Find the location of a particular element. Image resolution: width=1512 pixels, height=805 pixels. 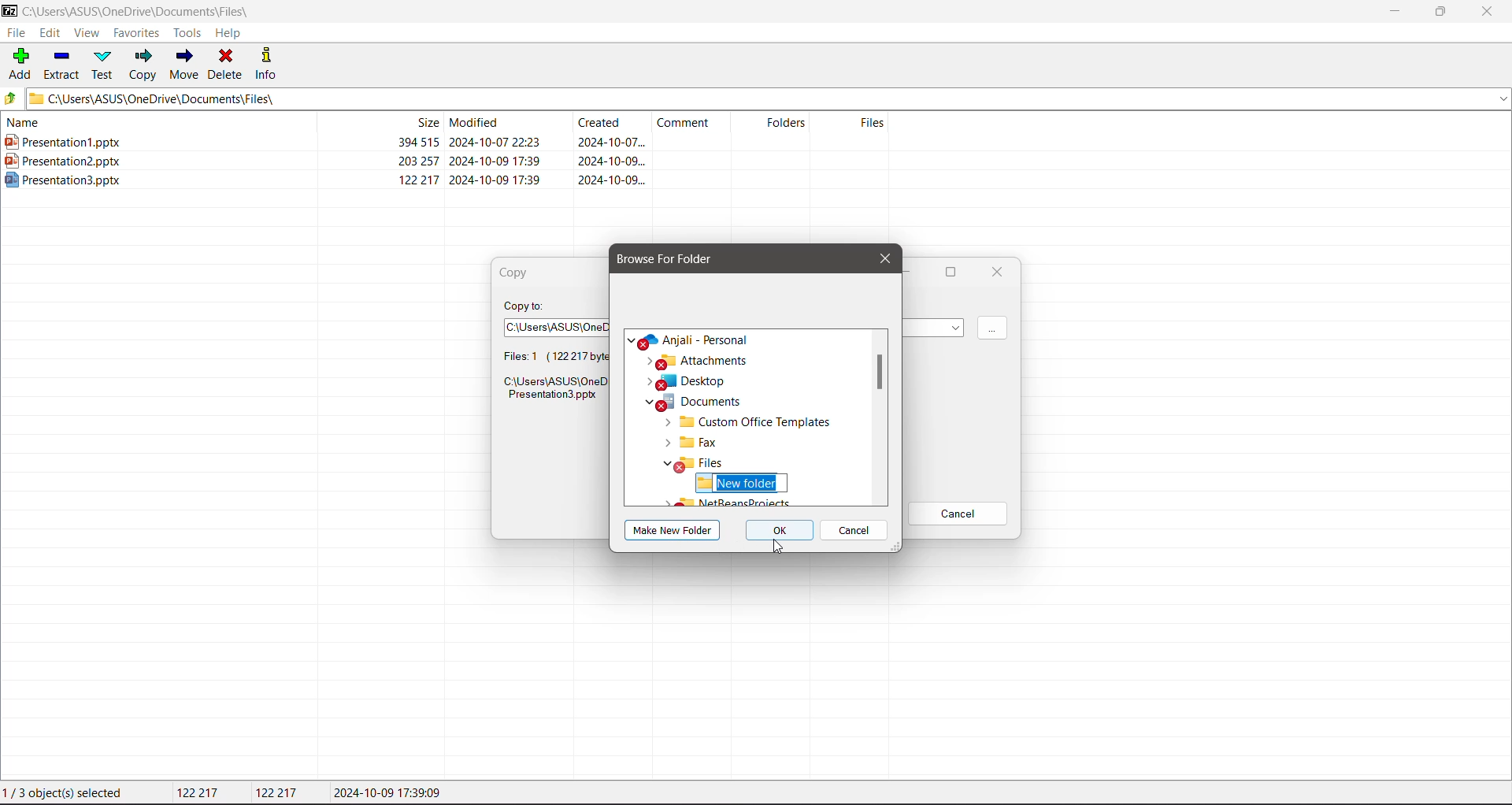

Help is located at coordinates (230, 34).